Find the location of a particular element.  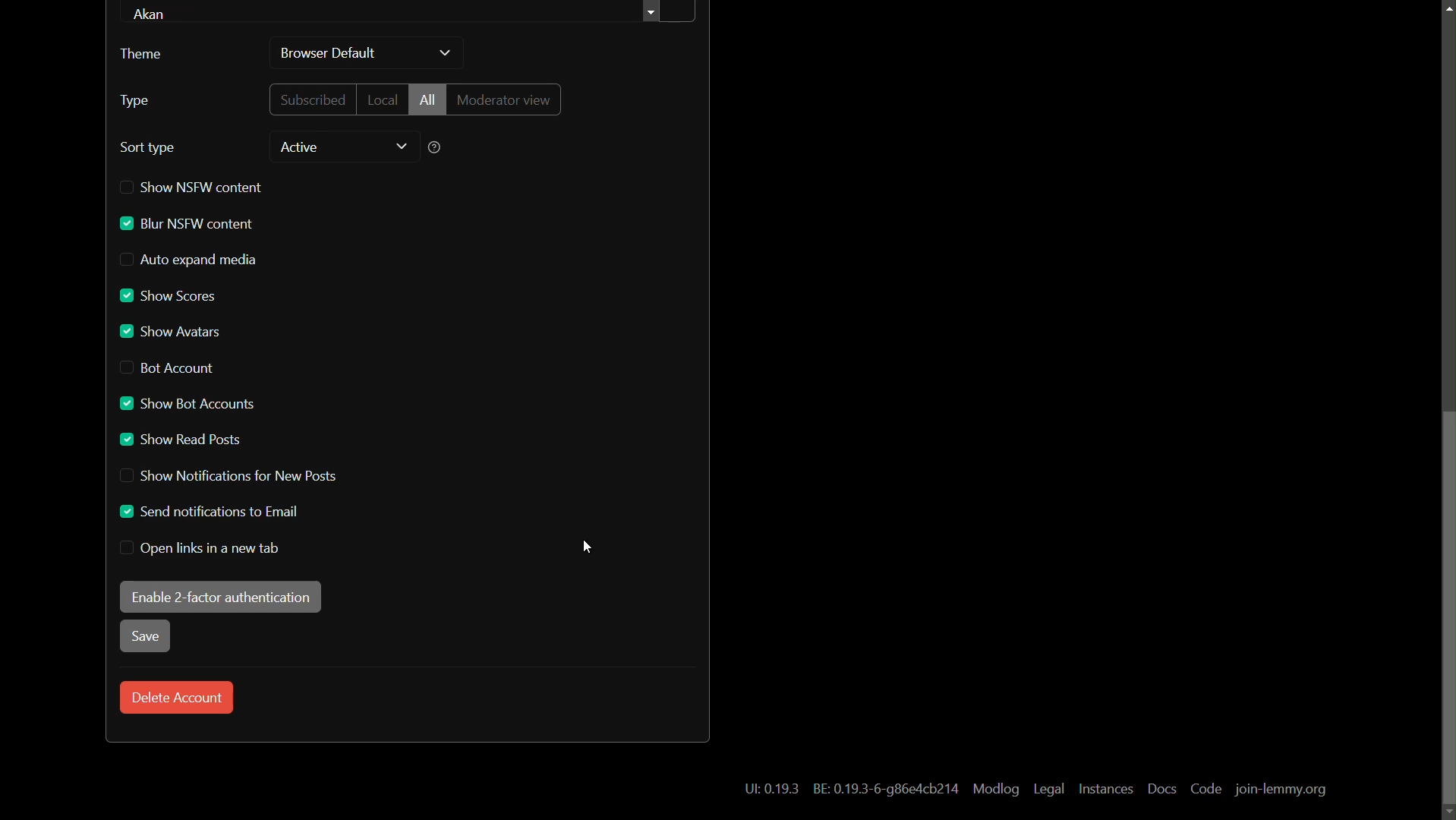

show avatars is located at coordinates (170, 332).